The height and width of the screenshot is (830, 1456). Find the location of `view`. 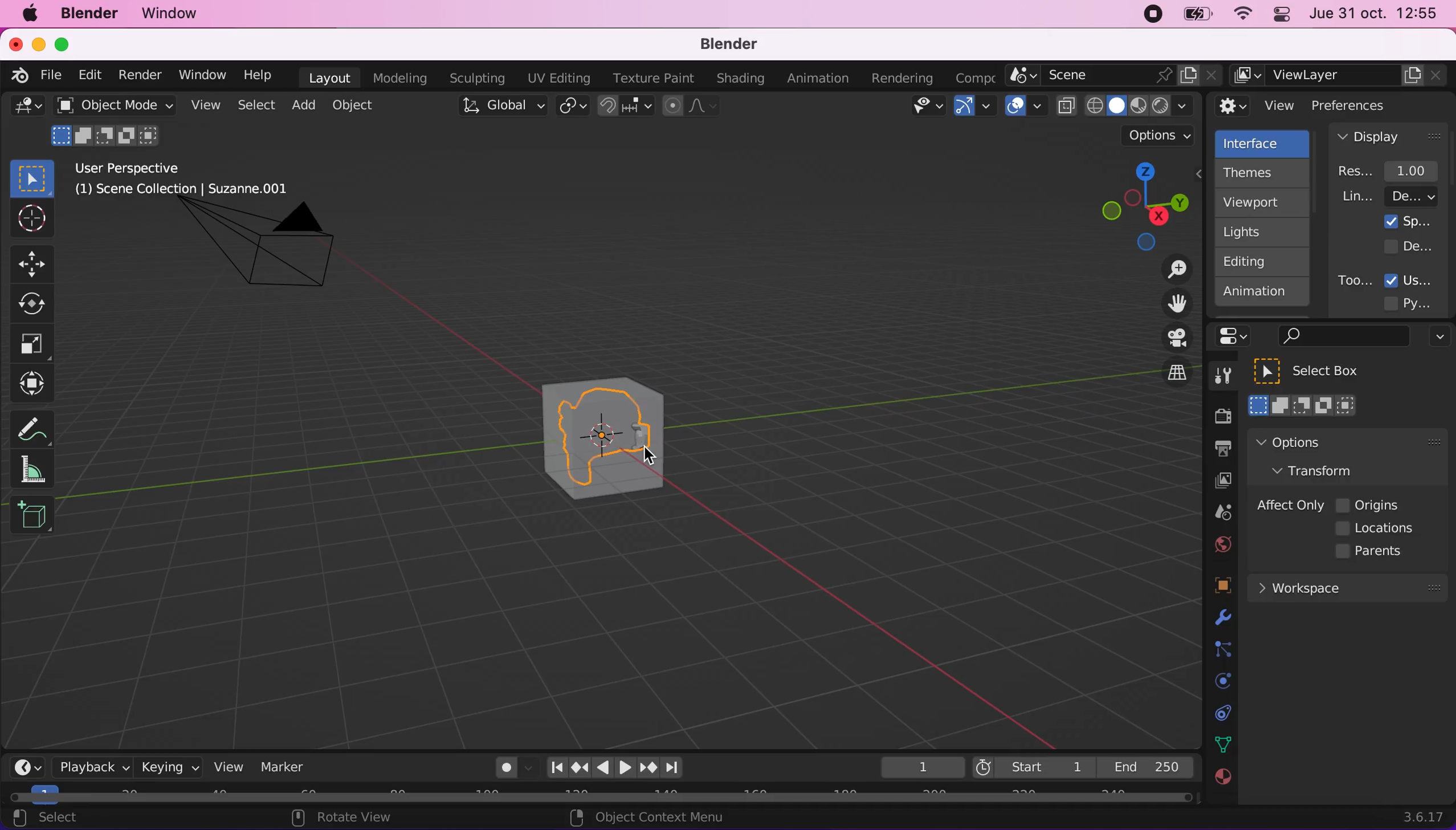

view is located at coordinates (203, 105).